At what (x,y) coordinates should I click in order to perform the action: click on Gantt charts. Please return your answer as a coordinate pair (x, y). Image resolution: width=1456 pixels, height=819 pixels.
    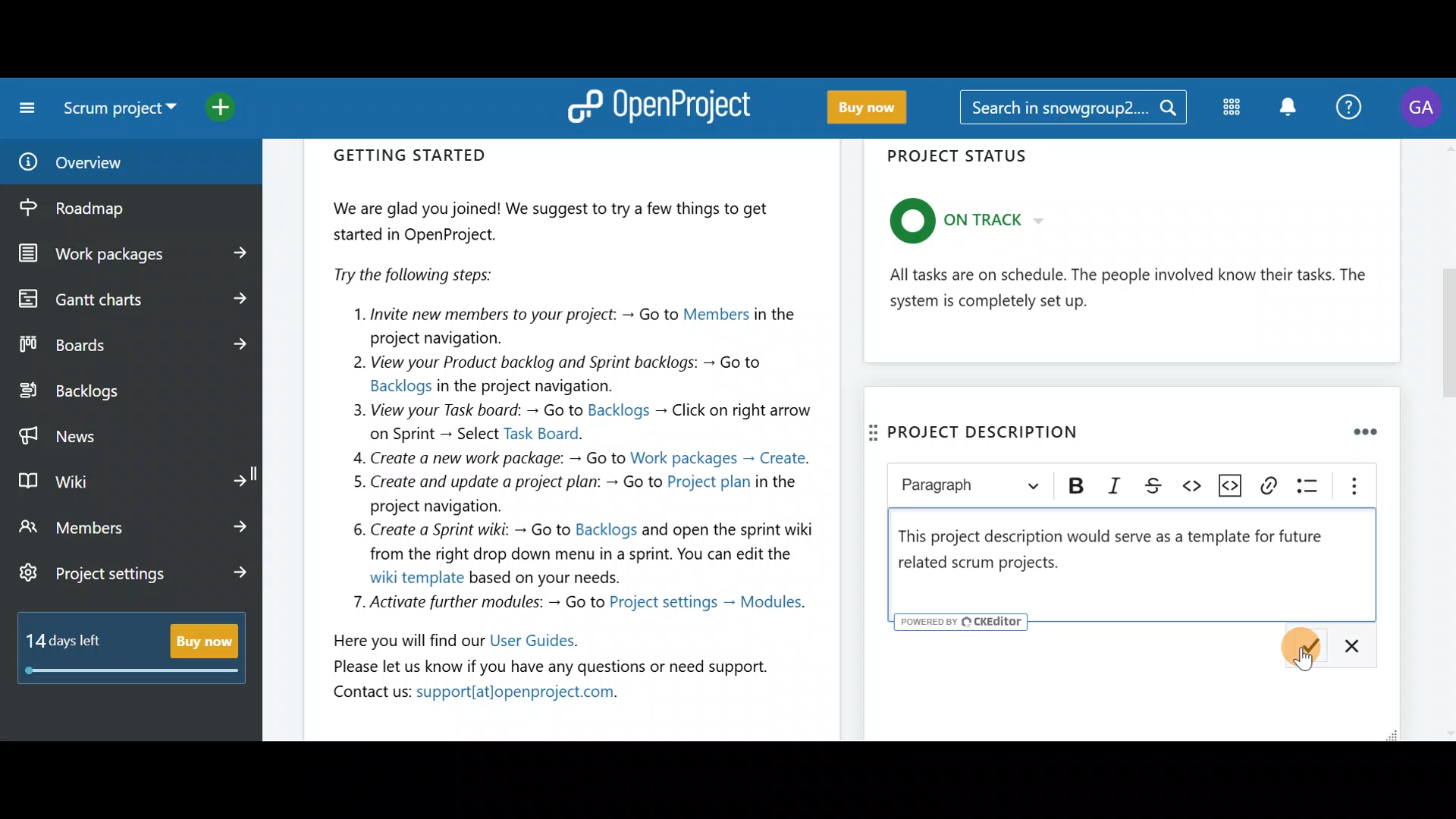
    Looking at the image, I should click on (129, 297).